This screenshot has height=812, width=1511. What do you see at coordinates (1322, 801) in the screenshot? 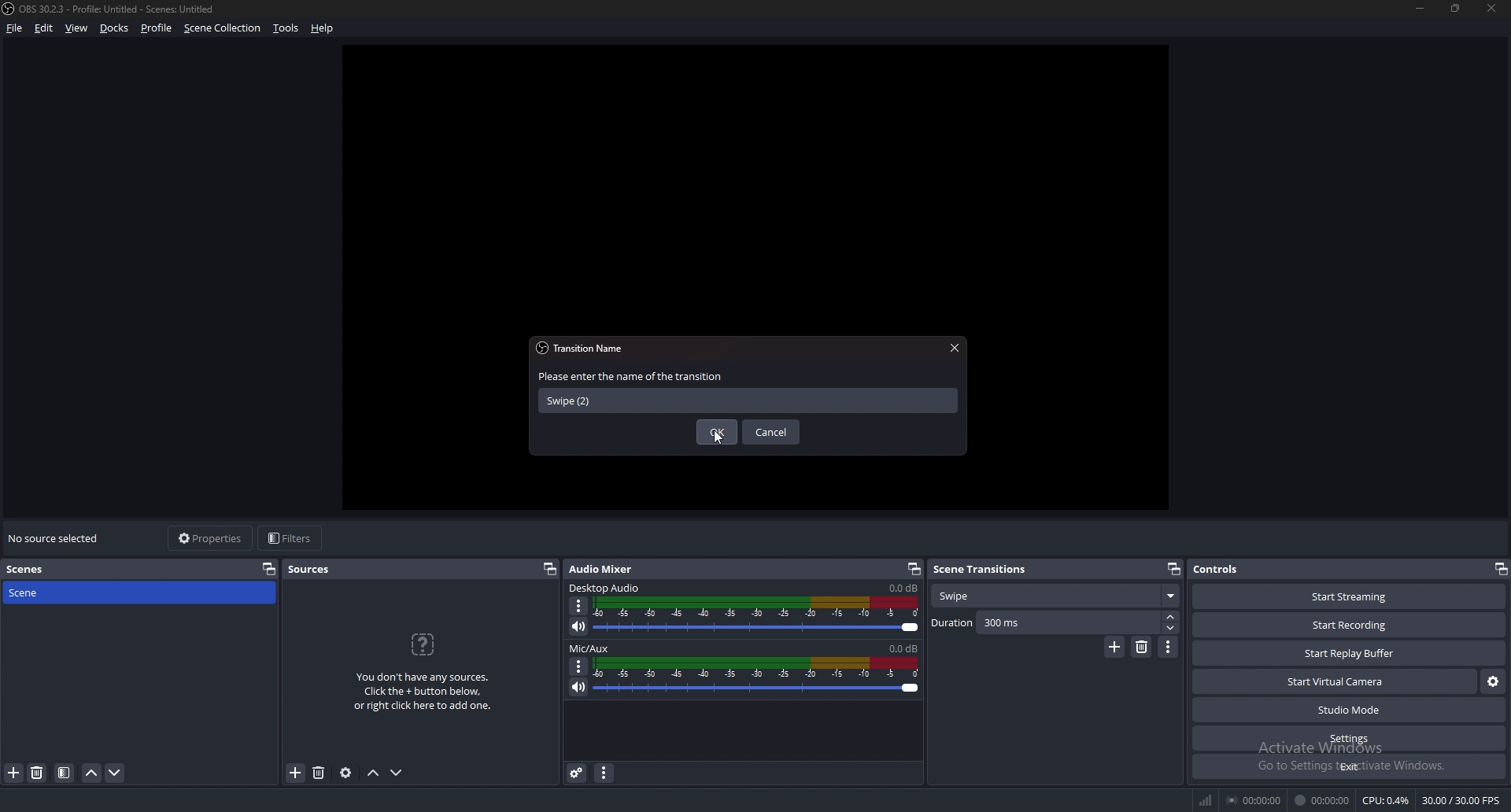
I see `00:00:00` at bounding box center [1322, 801].